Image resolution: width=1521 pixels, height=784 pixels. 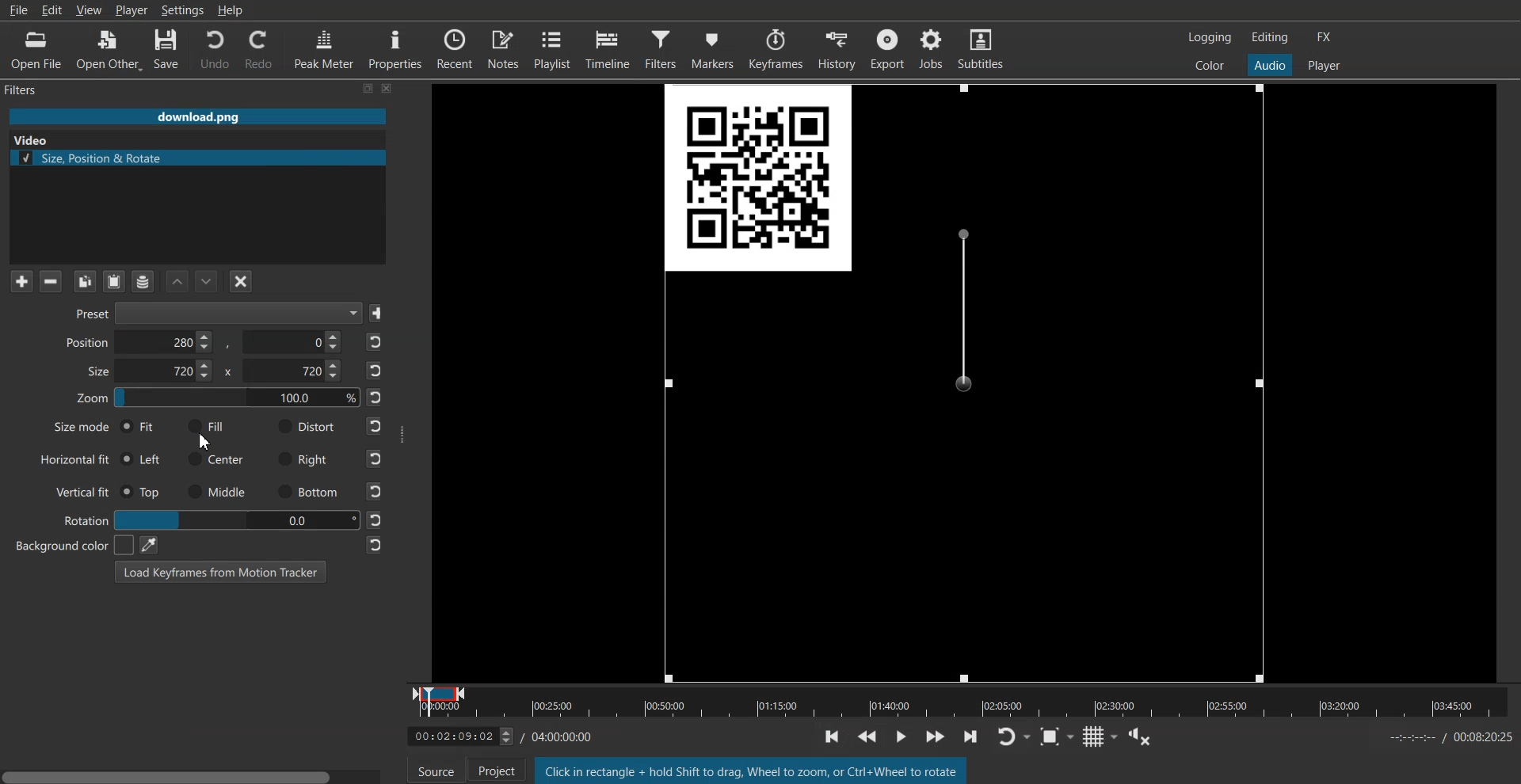 What do you see at coordinates (1325, 37) in the screenshot?
I see `Switch to the effect layout` at bounding box center [1325, 37].